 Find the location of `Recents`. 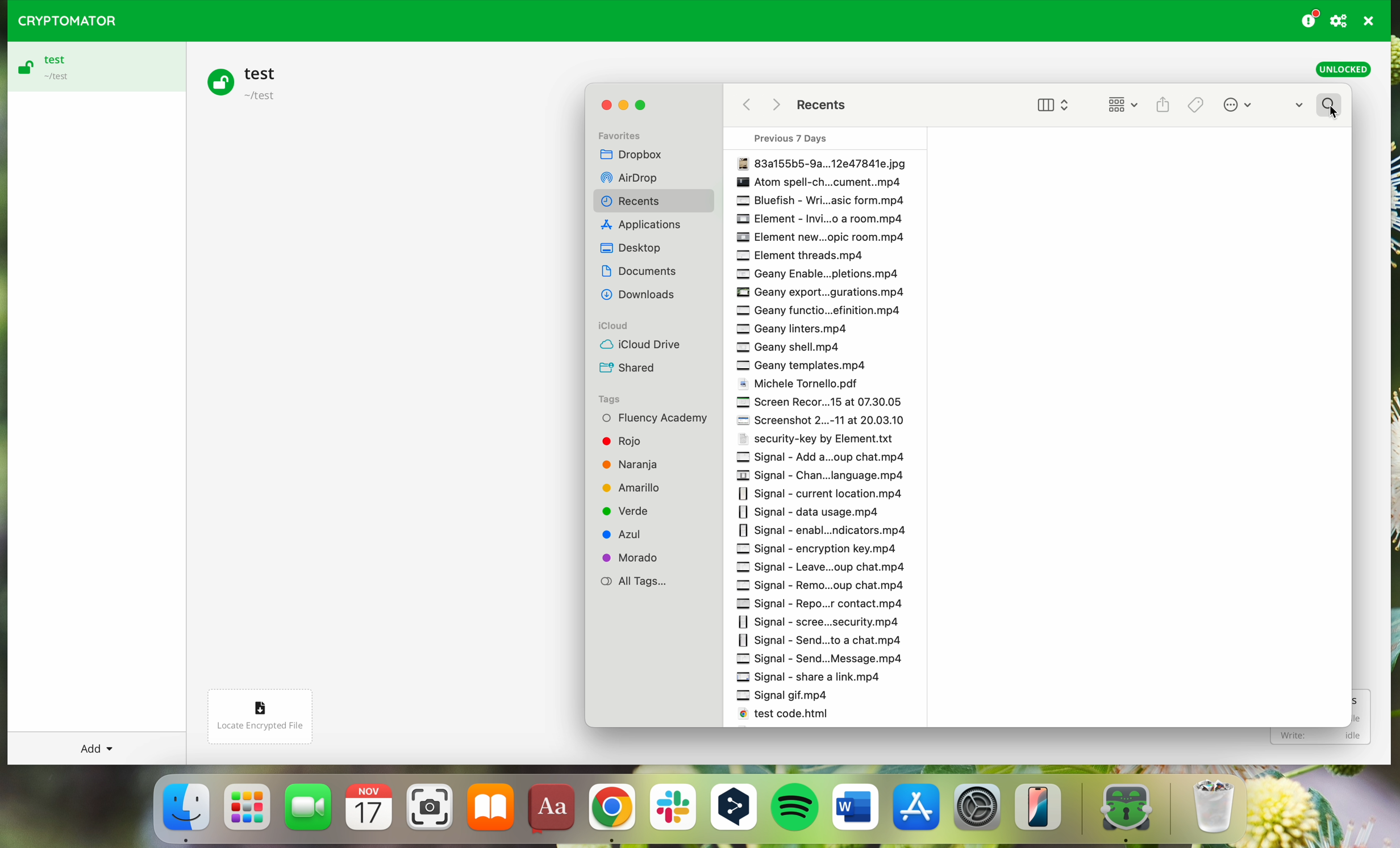

Recents is located at coordinates (635, 201).